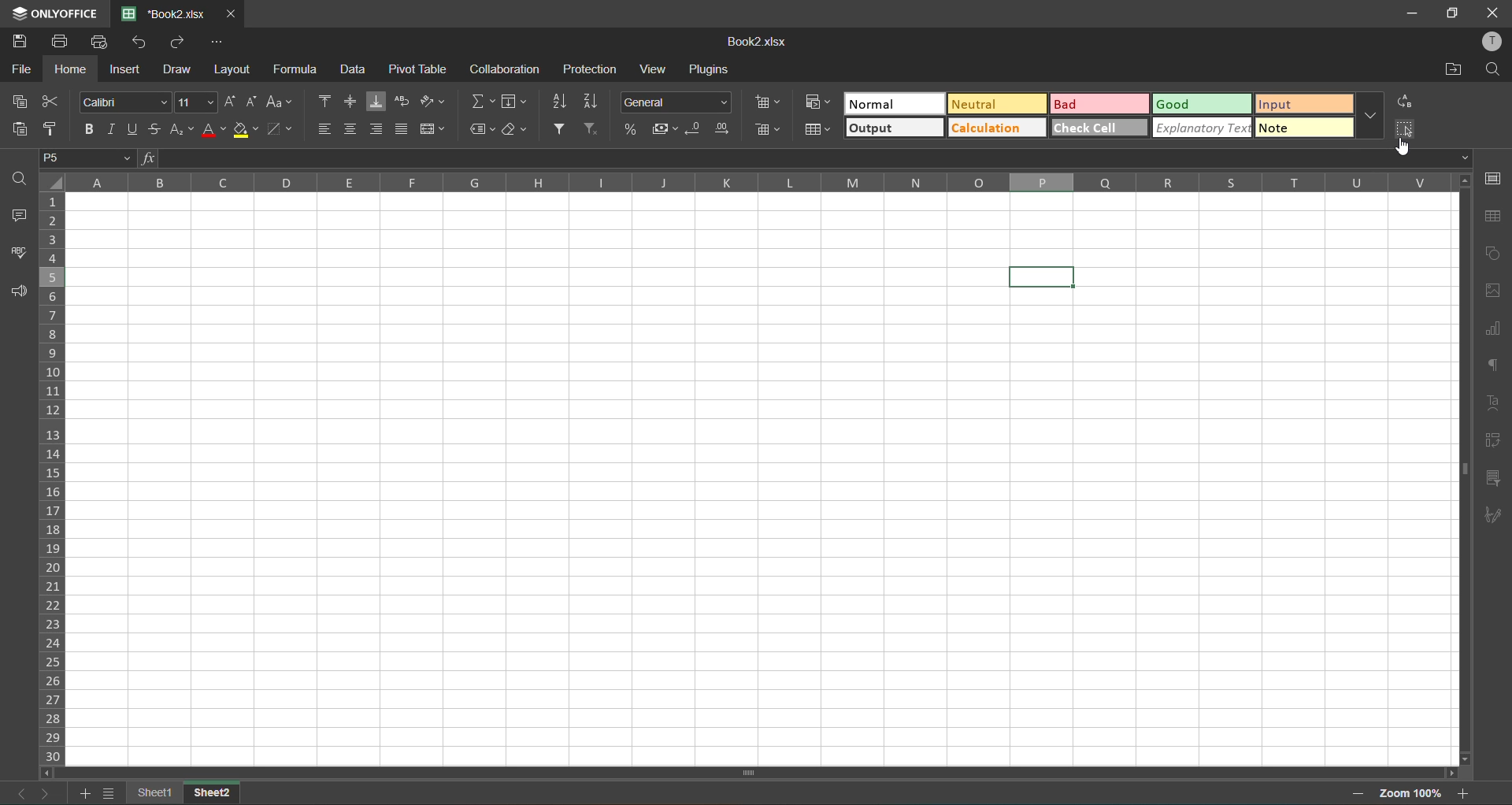  What do you see at coordinates (1494, 442) in the screenshot?
I see `pivot table` at bounding box center [1494, 442].